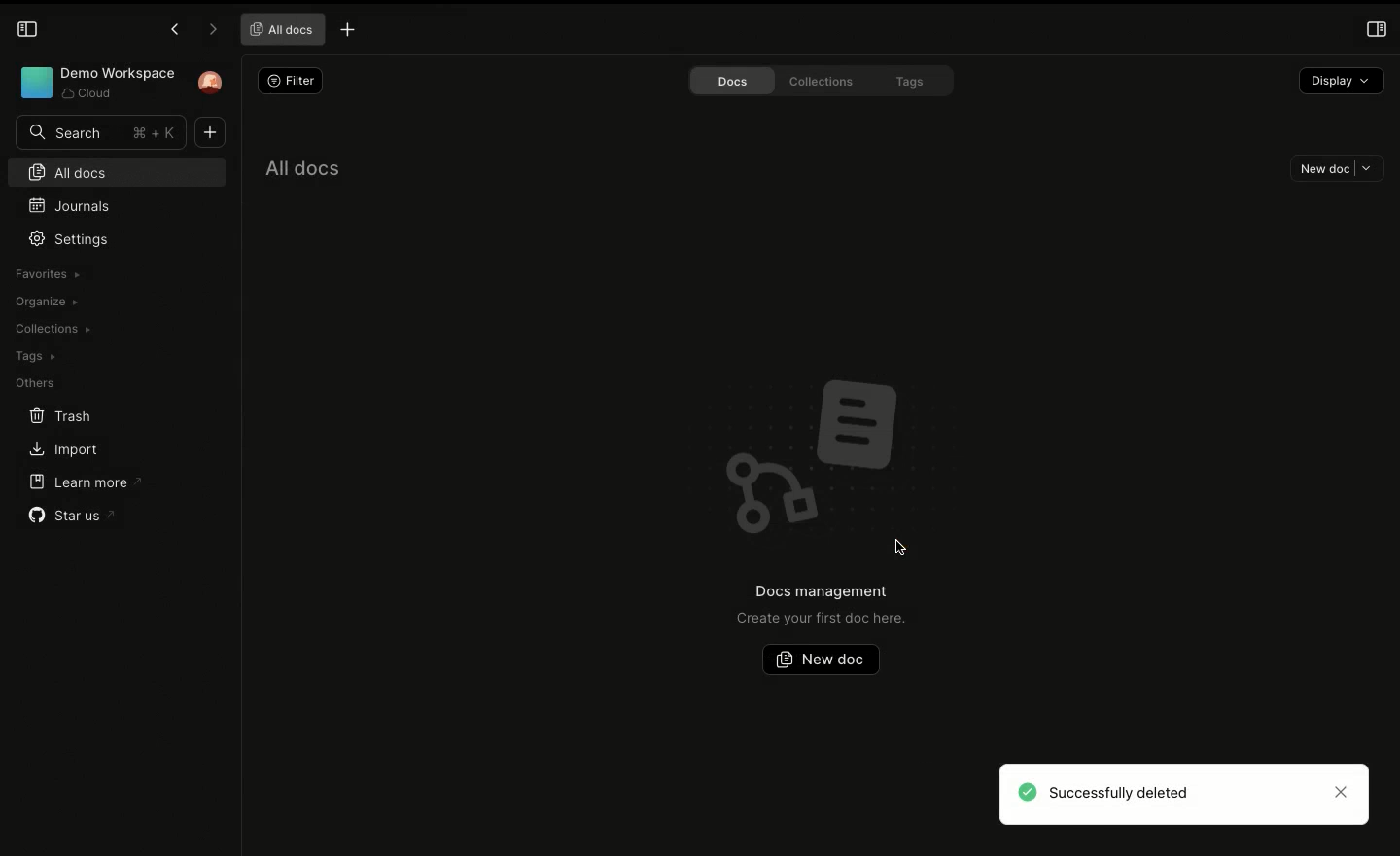  Describe the element at coordinates (27, 29) in the screenshot. I see `Collapse sidebar` at that location.